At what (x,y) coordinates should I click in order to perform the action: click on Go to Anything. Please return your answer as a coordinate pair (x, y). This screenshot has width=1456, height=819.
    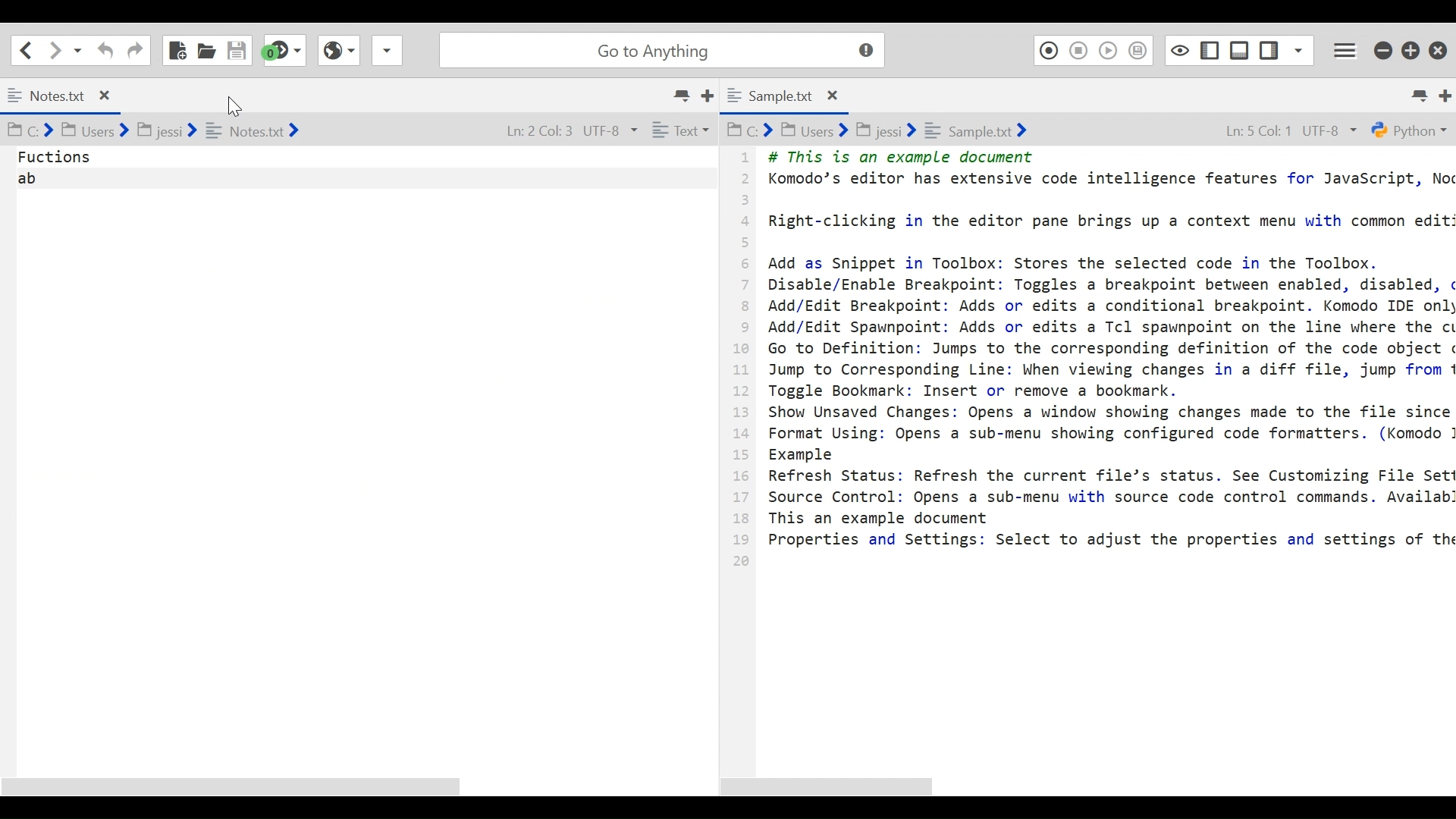
    Looking at the image, I should click on (666, 50).